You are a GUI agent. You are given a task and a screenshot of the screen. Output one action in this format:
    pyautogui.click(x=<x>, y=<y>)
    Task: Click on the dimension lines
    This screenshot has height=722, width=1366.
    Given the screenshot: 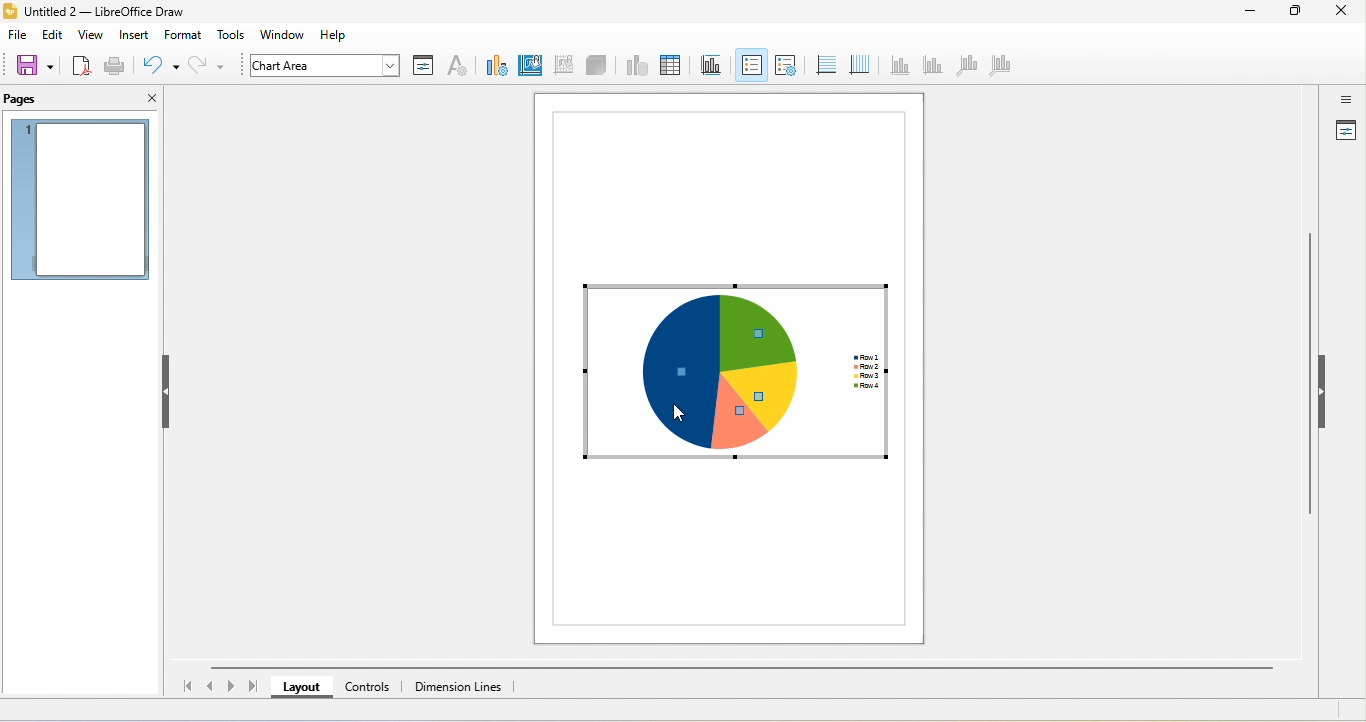 What is the action you would take?
    pyautogui.click(x=462, y=687)
    